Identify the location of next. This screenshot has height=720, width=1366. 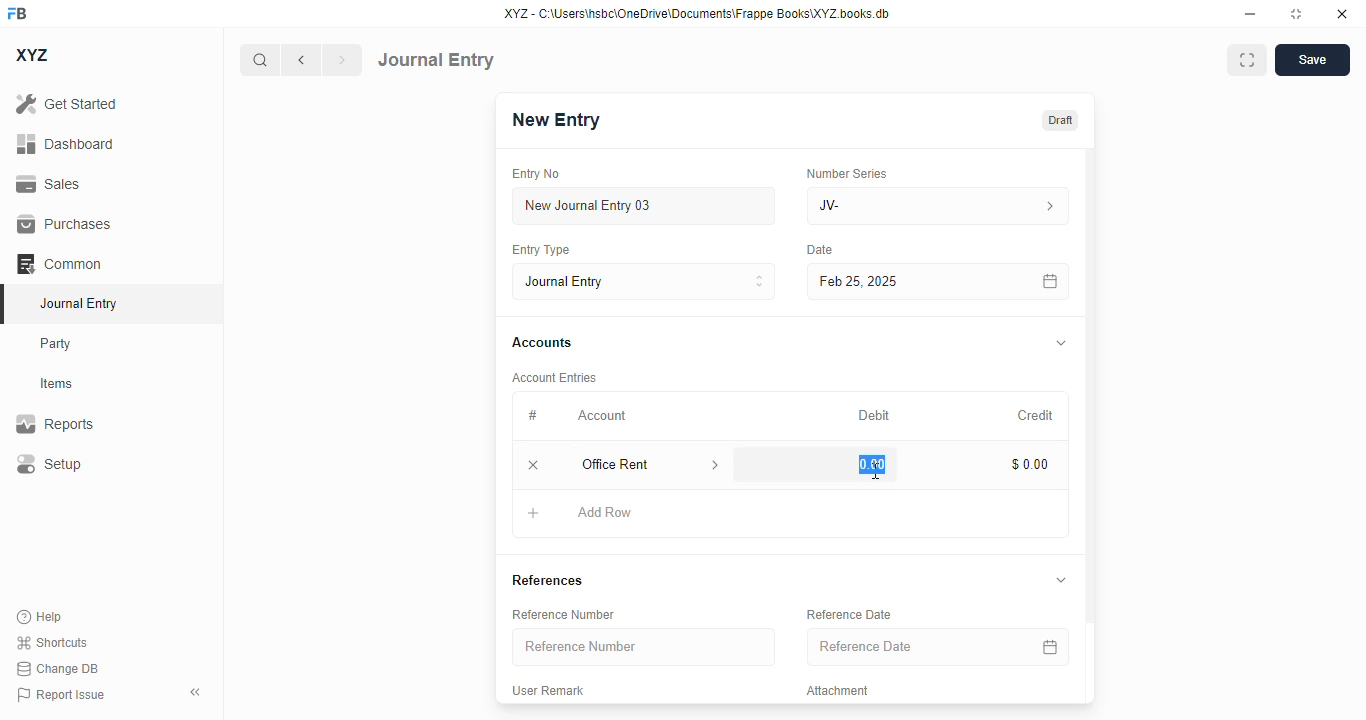
(343, 60).